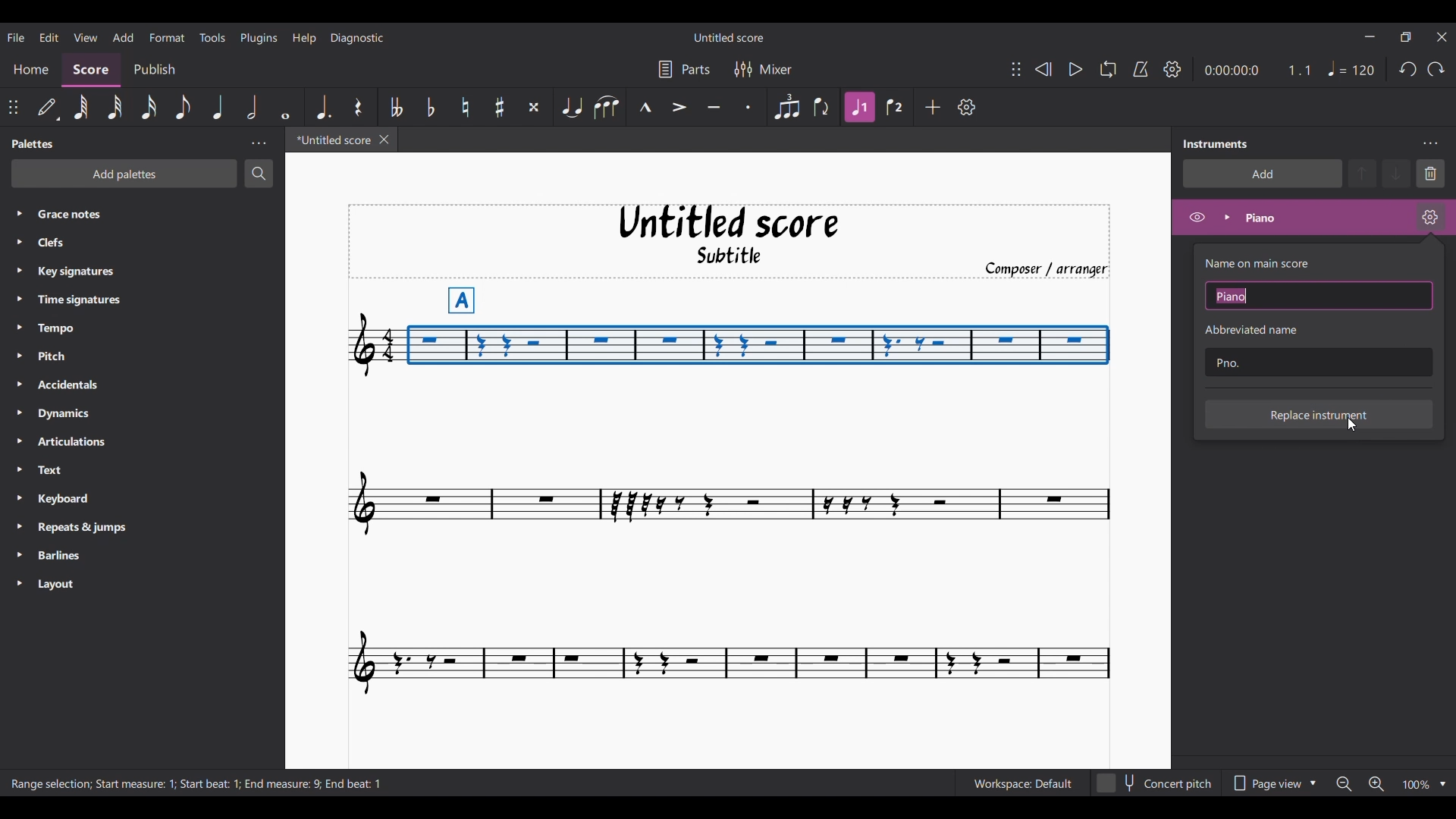 The image size is (1456, 819). Describe the element at coordinates (121, 243) in the screenshot. I see `Clefs` at that location.